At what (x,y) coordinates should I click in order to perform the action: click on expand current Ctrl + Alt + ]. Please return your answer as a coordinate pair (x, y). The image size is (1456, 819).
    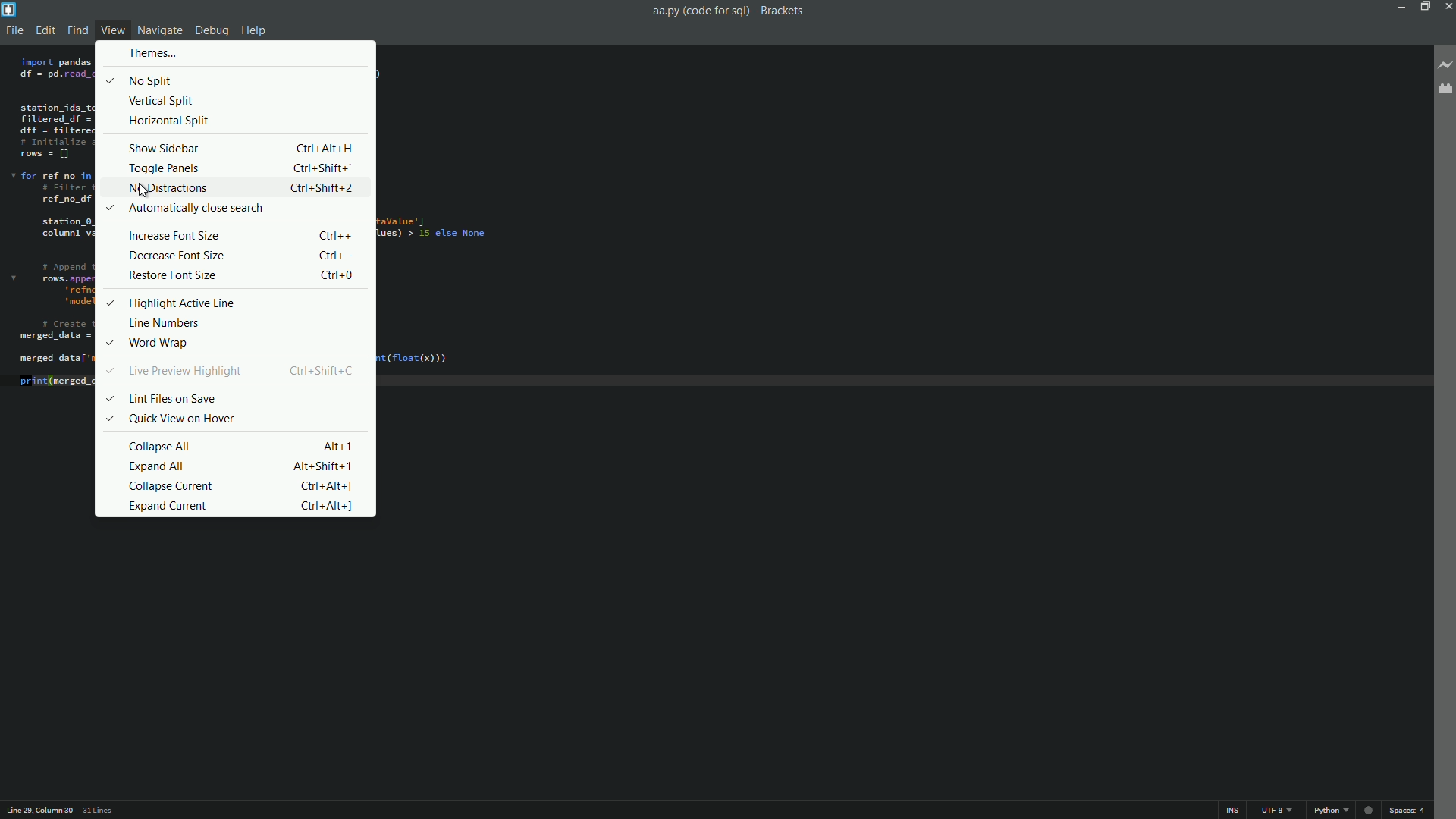
    Looking at the image, I should click on (240, 507).